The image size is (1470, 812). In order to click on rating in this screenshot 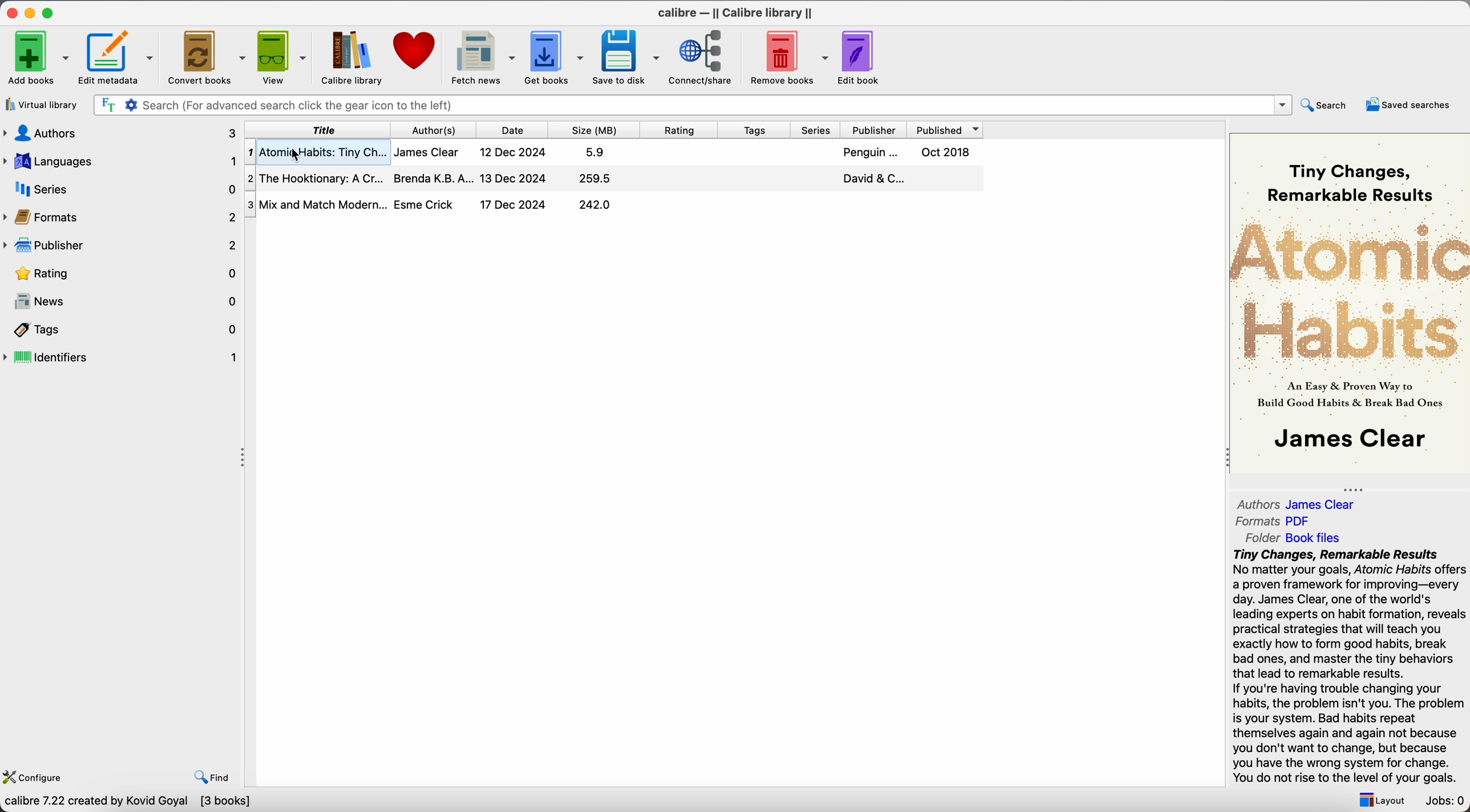, I will do `click(680, 130)`.